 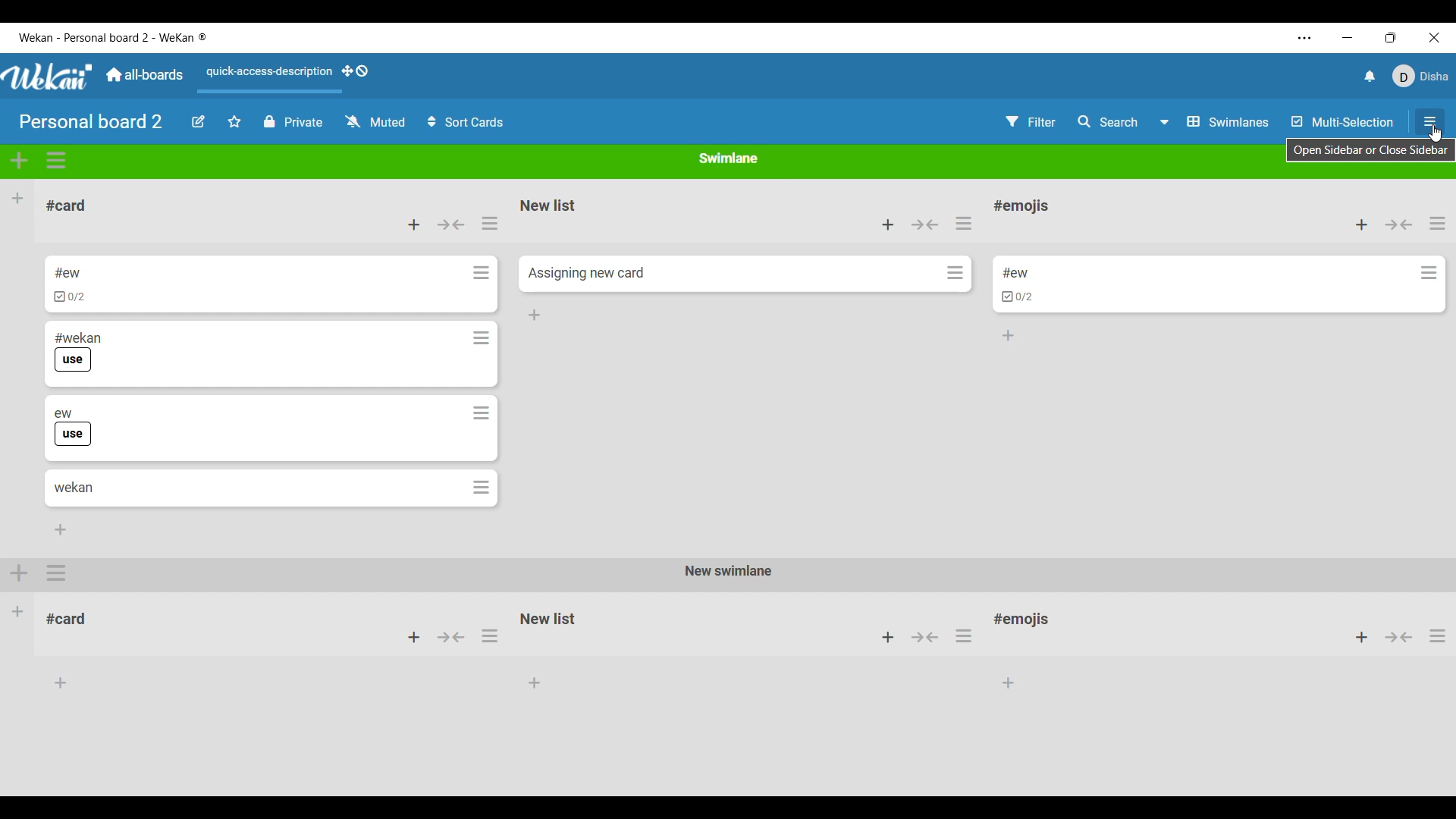 I want to click on Add card to bottom of list, so click(x=1009, y=336).